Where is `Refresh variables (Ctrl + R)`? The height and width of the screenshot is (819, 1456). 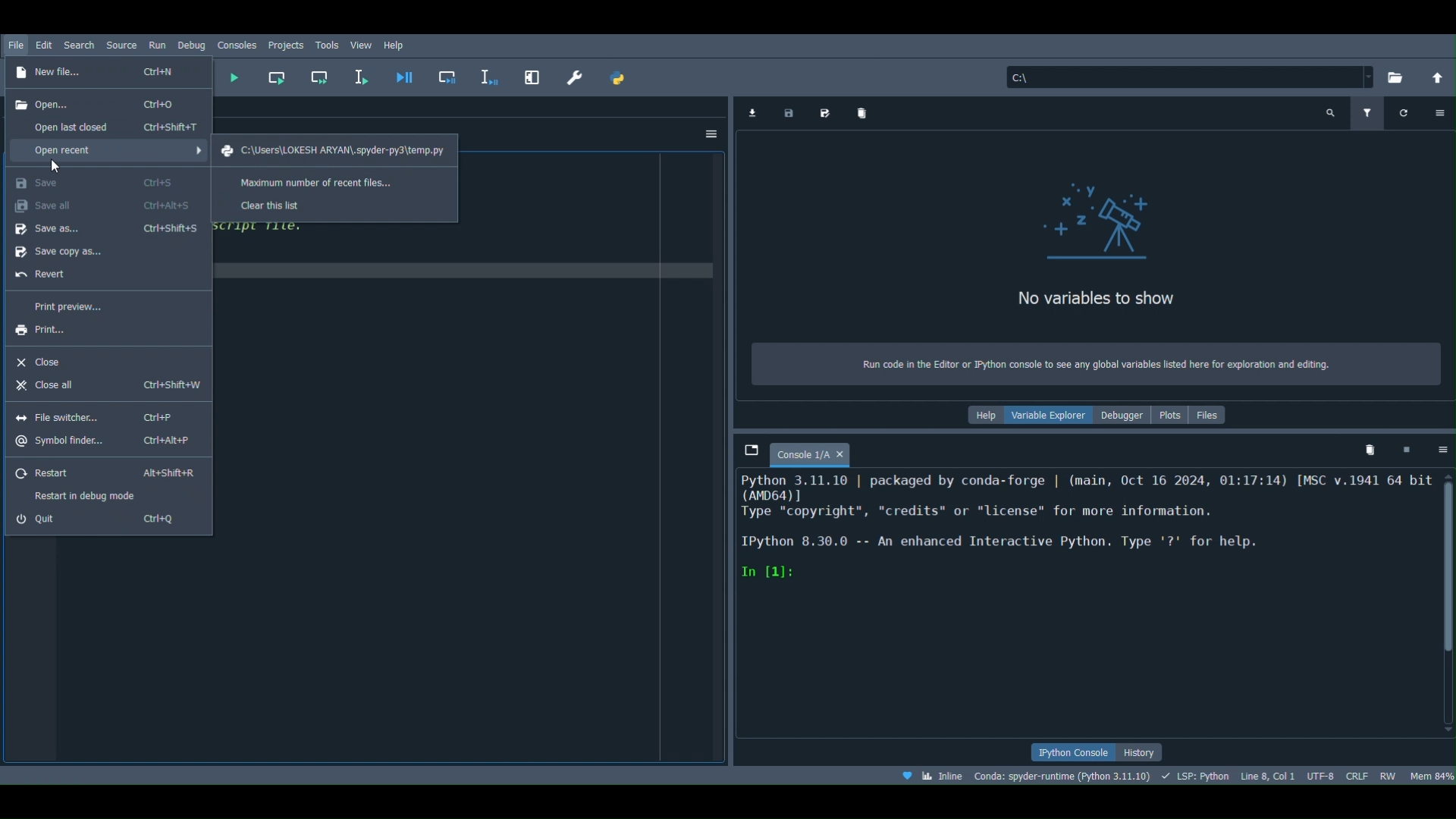
Refresh variables (Ctrl + R) is located at coordinates (1401, 112).